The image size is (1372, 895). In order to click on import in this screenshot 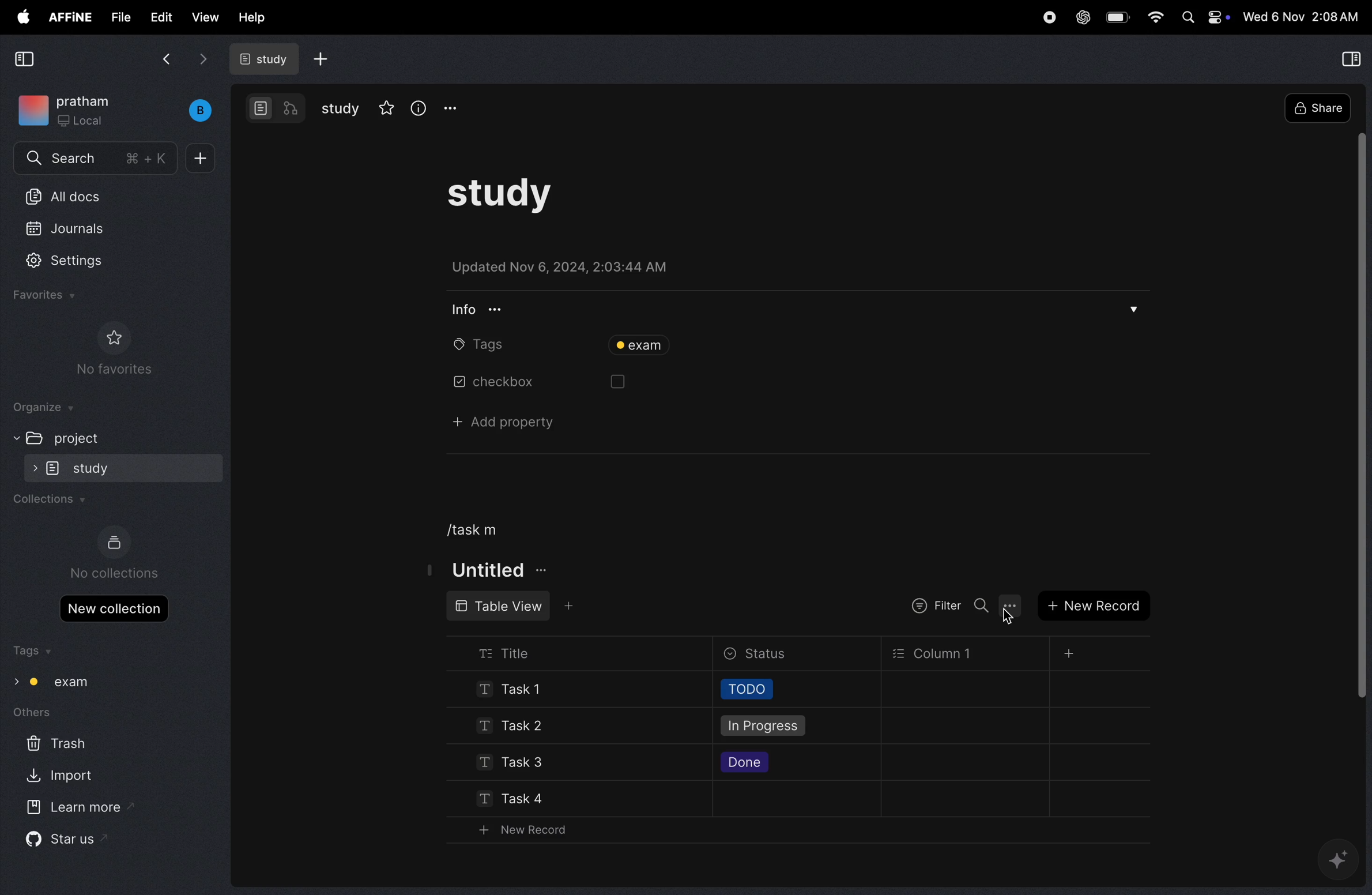, I will do `click(61, 776)`.